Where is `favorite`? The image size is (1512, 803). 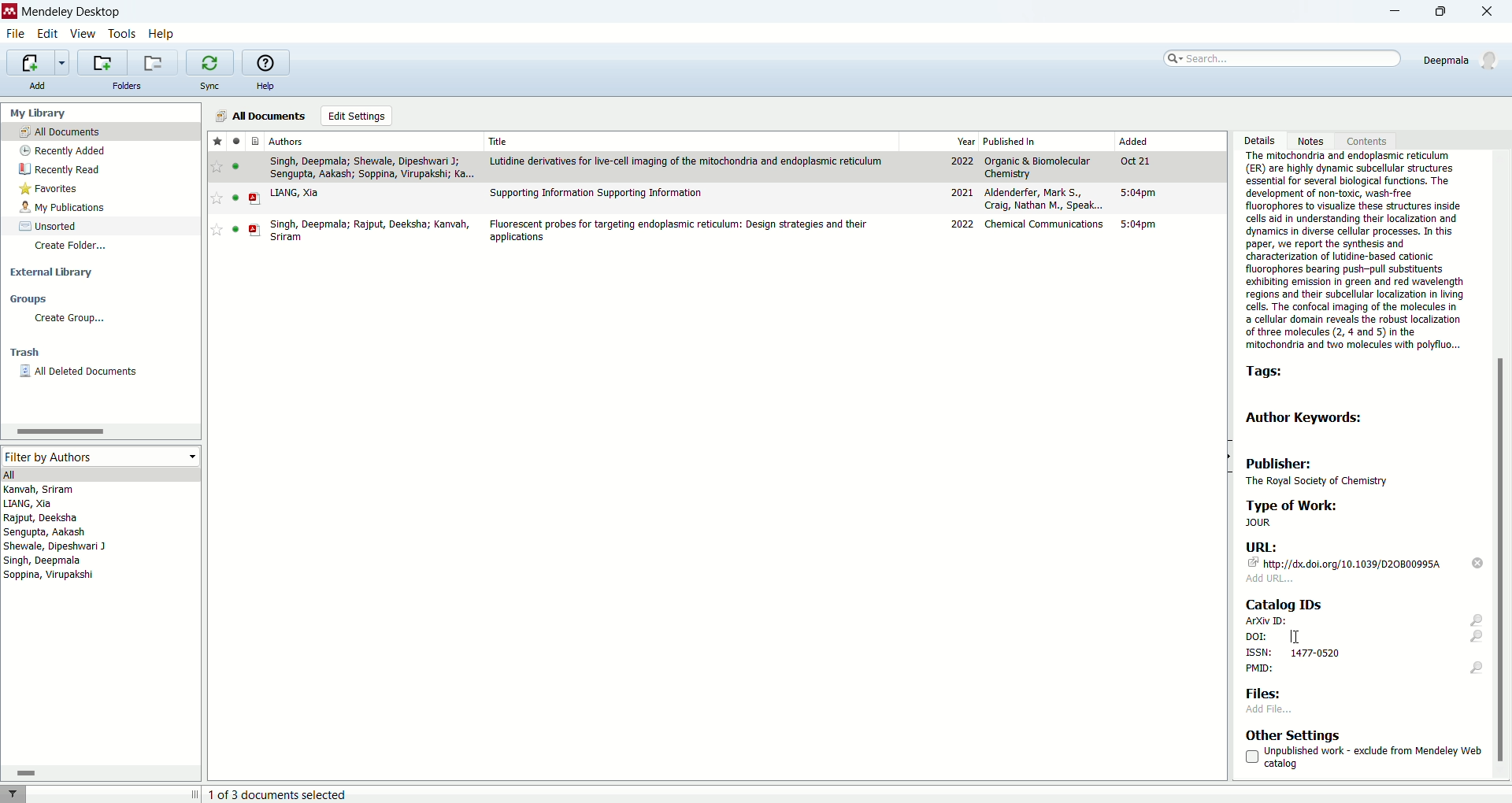
favorite is located at coordinates (217, 167).